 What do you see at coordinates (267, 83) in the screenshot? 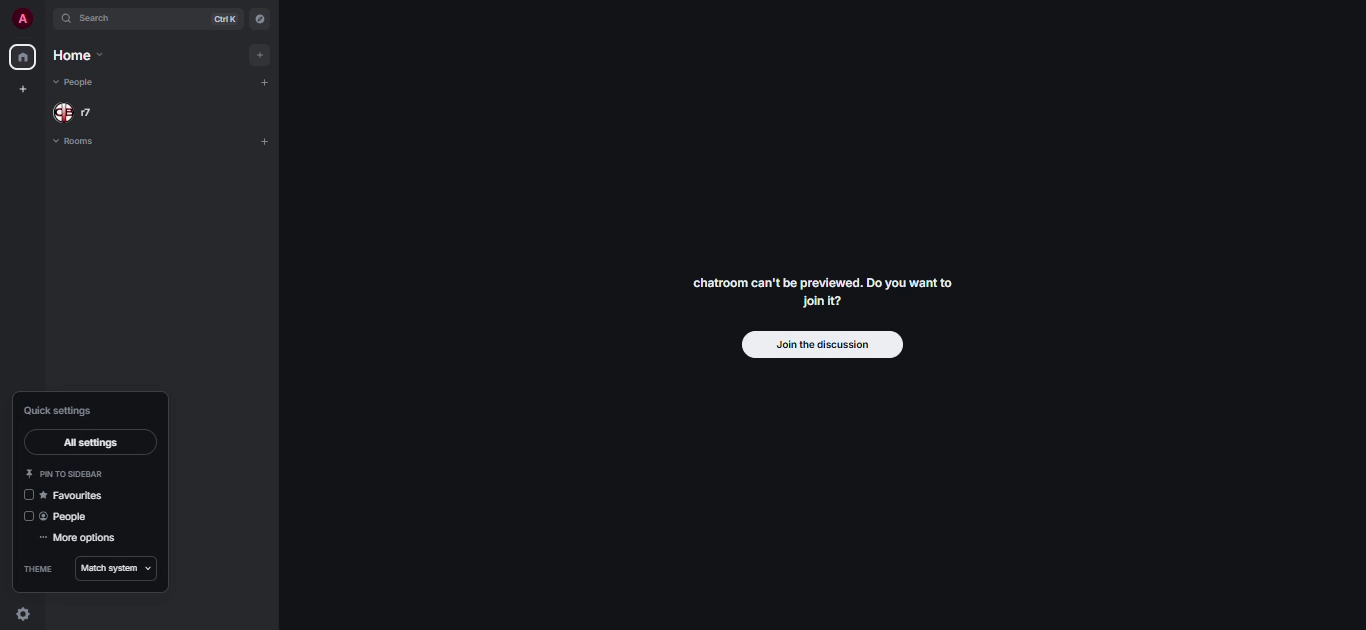
I see `add` at bounding box center [267, 83].